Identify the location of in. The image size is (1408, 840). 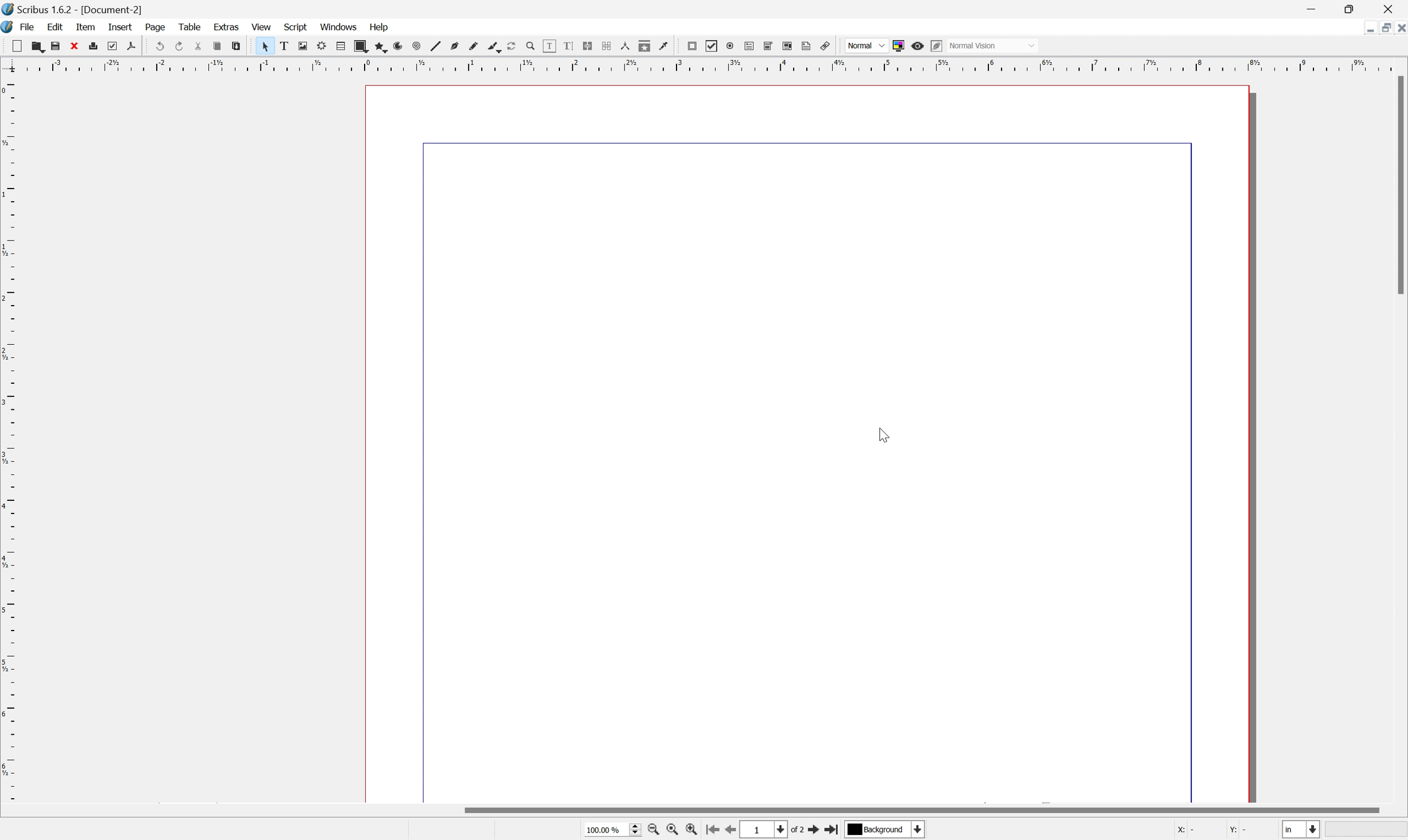
(1303, 831).